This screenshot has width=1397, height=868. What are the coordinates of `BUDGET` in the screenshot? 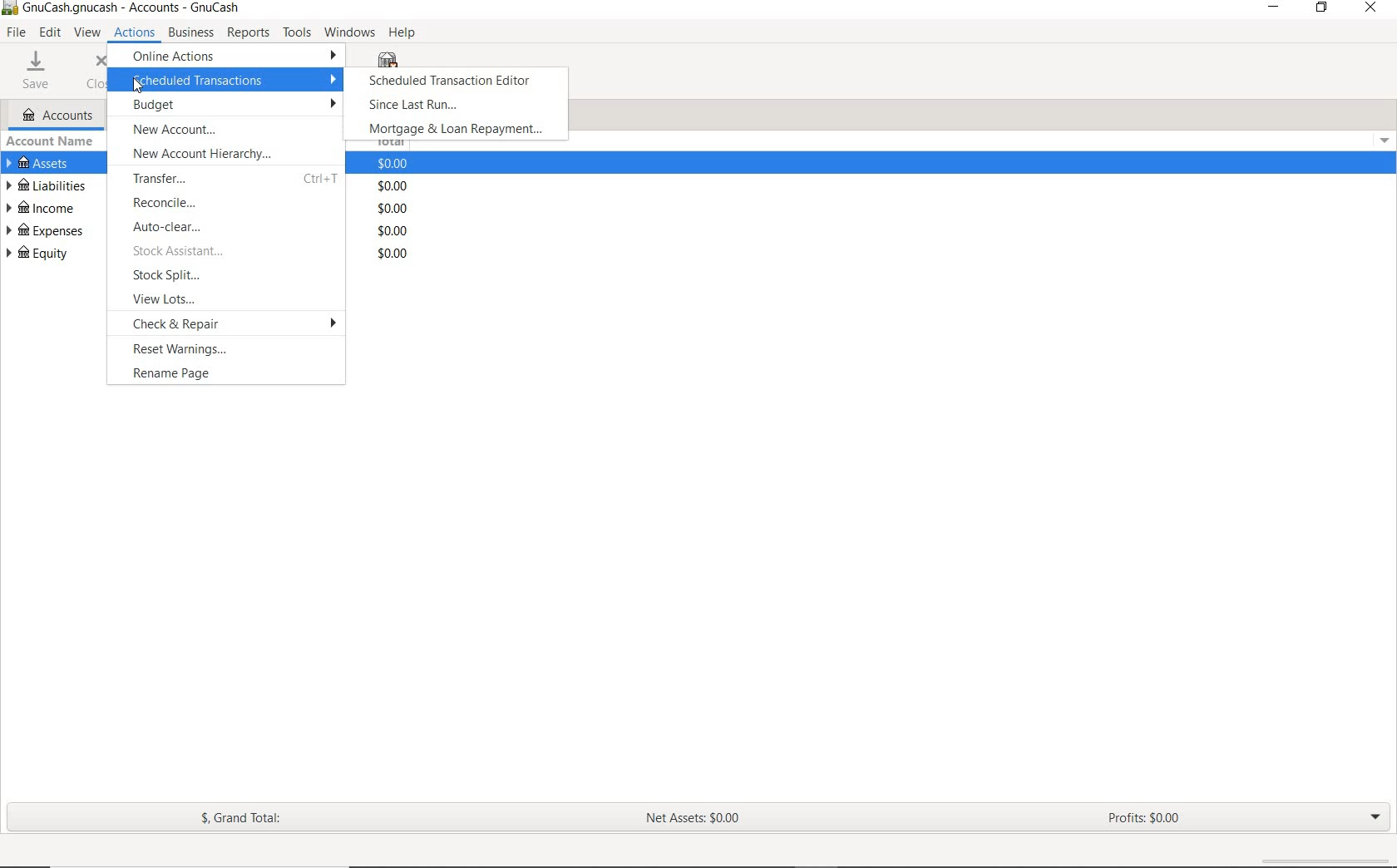 It's located at (229, 105).